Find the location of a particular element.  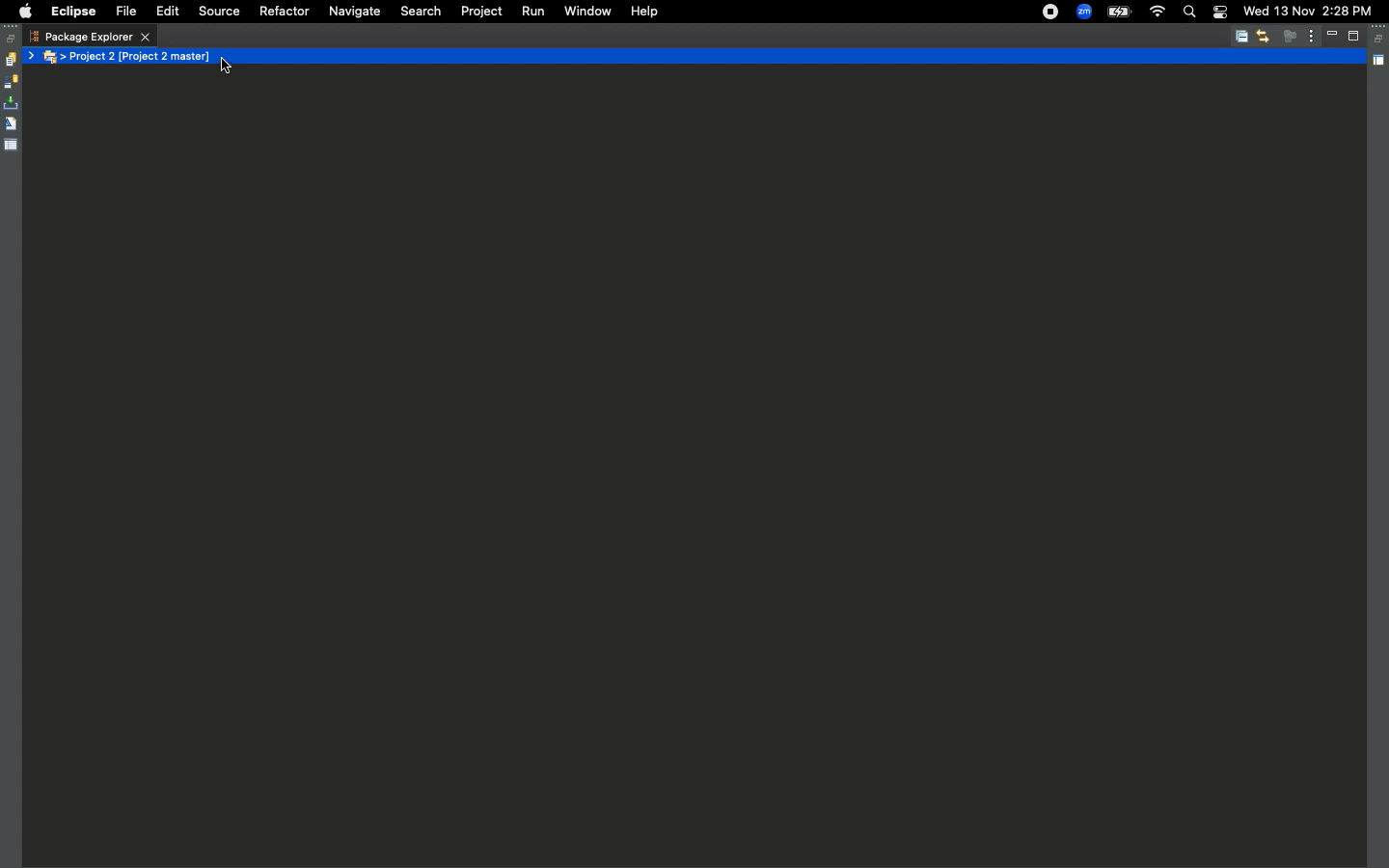

History is located at coordinates (10, 60).